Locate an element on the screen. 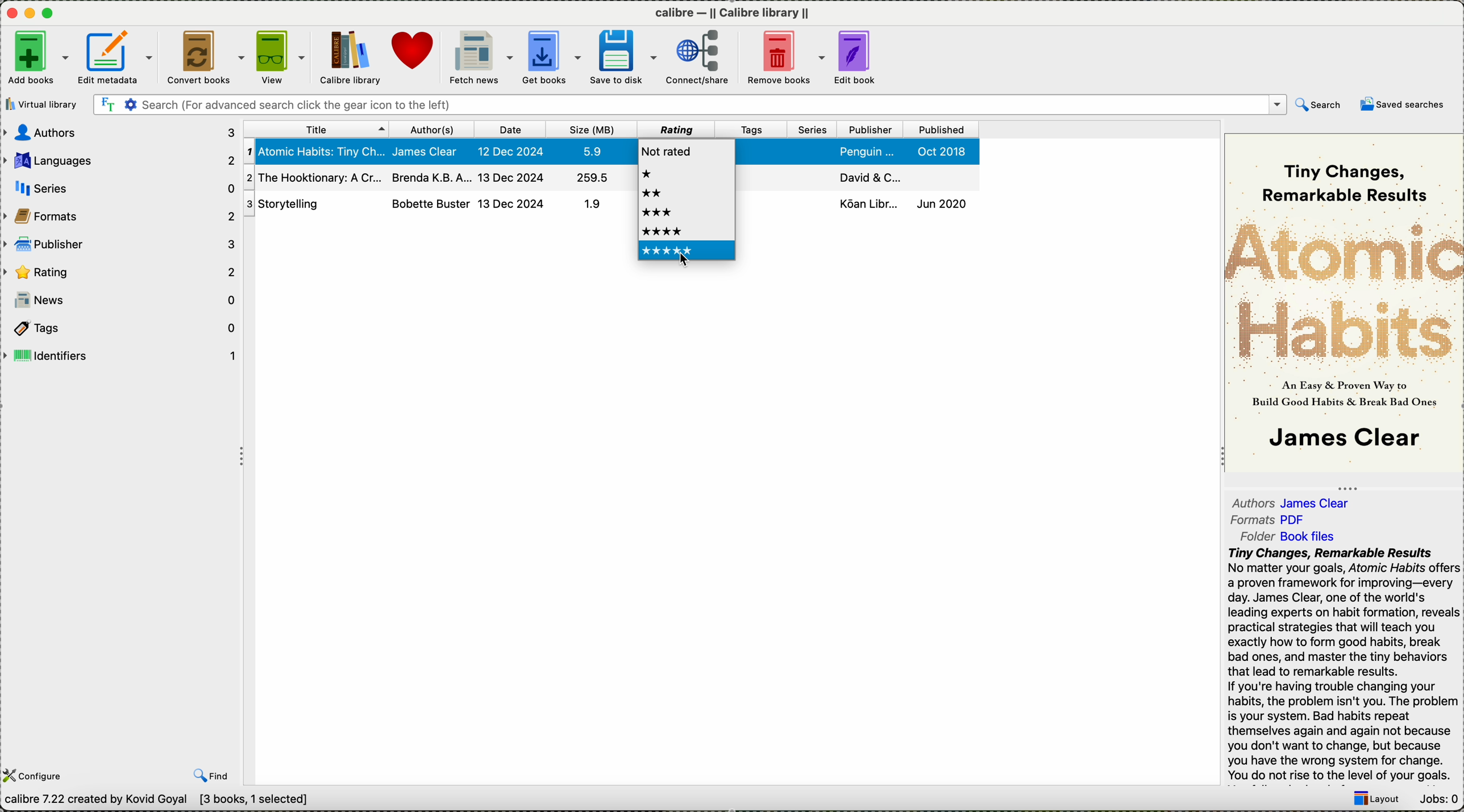 This screenshot has height=812, width=1464. convert books is located at coordinates (206, 57).